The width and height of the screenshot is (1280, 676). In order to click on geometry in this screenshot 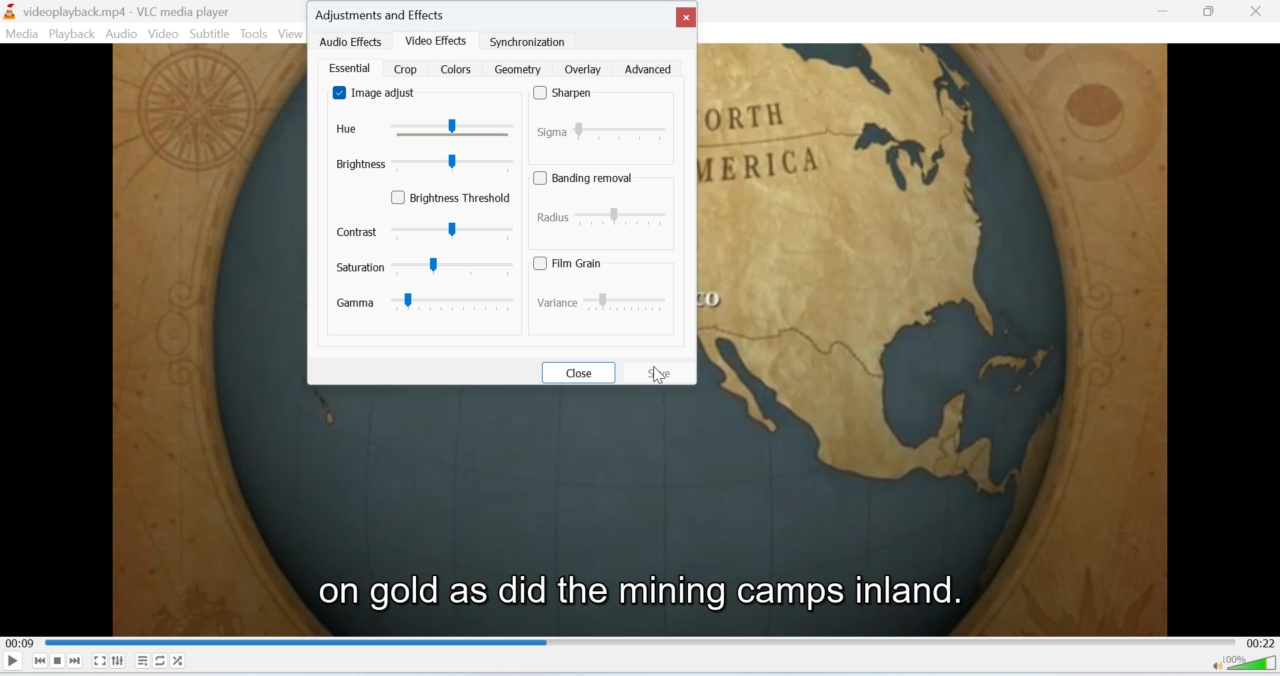, I will do `click(518, 68)`.